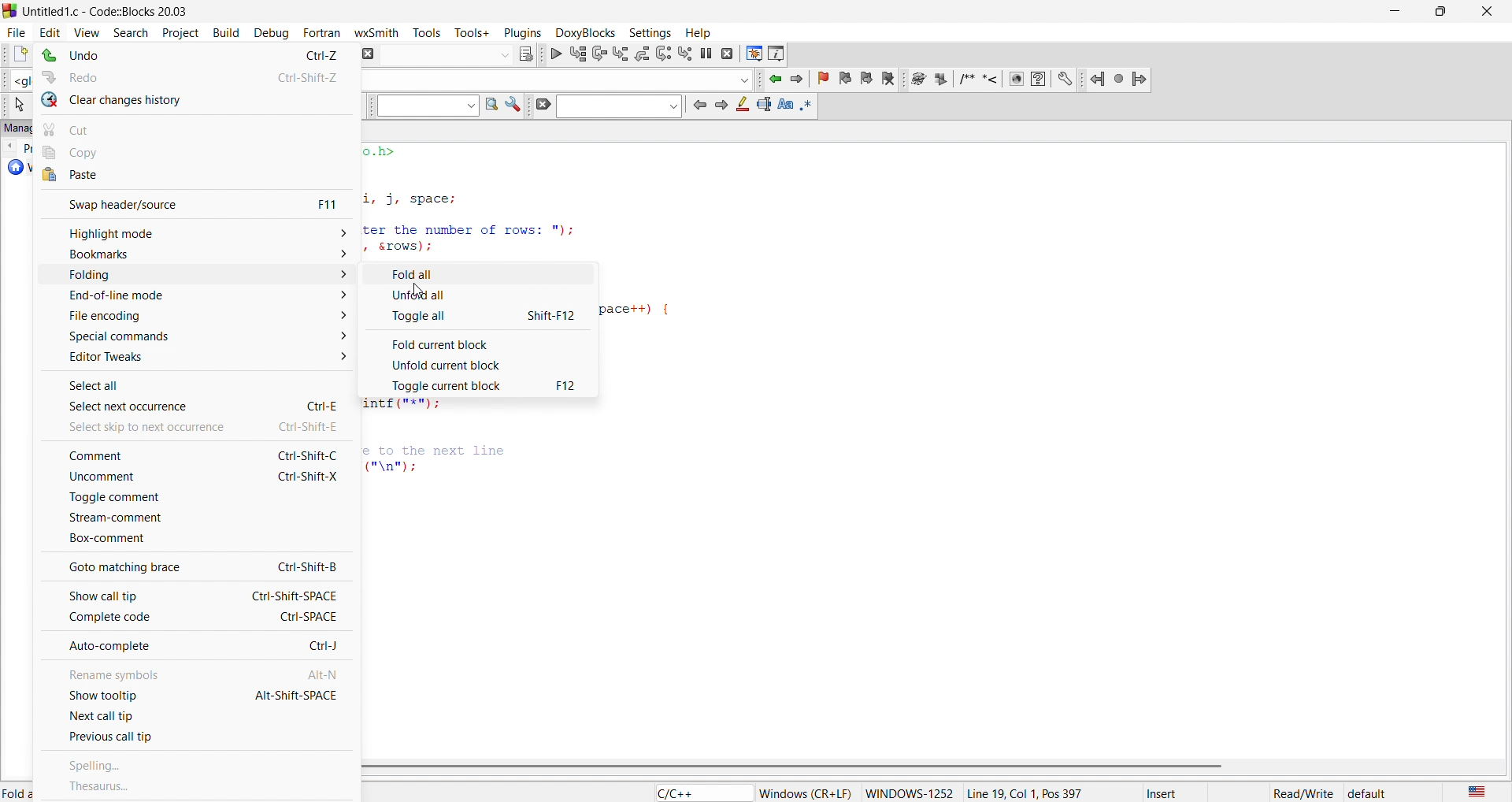 The width and height of the screenshot is (1512, 802). What do you see at coordinates (777, 53) in the screenshot?
I see `various info` at bounding box center [777, 53].